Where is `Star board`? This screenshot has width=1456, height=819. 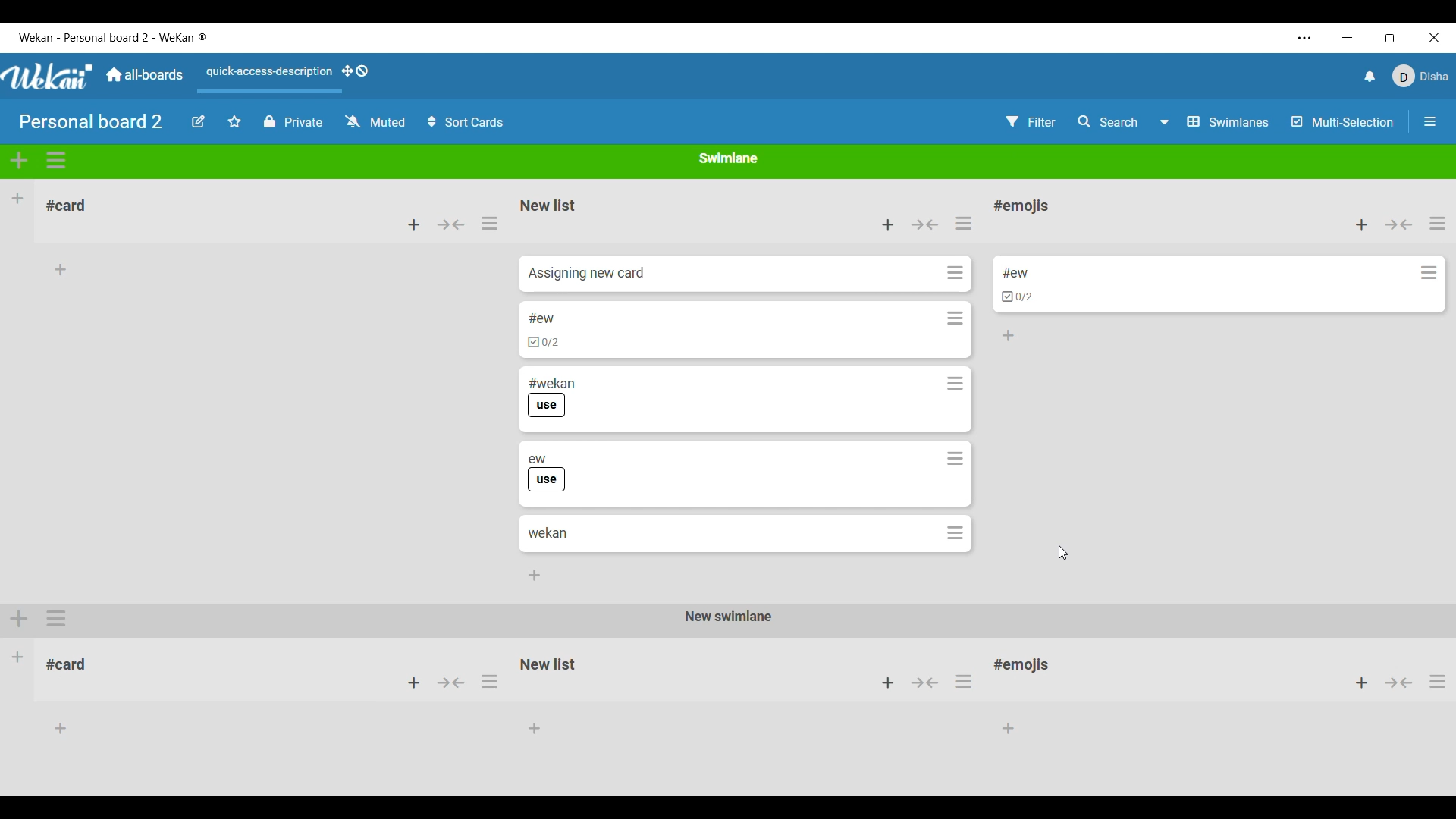 Star board is located at coordinates (235, 121).